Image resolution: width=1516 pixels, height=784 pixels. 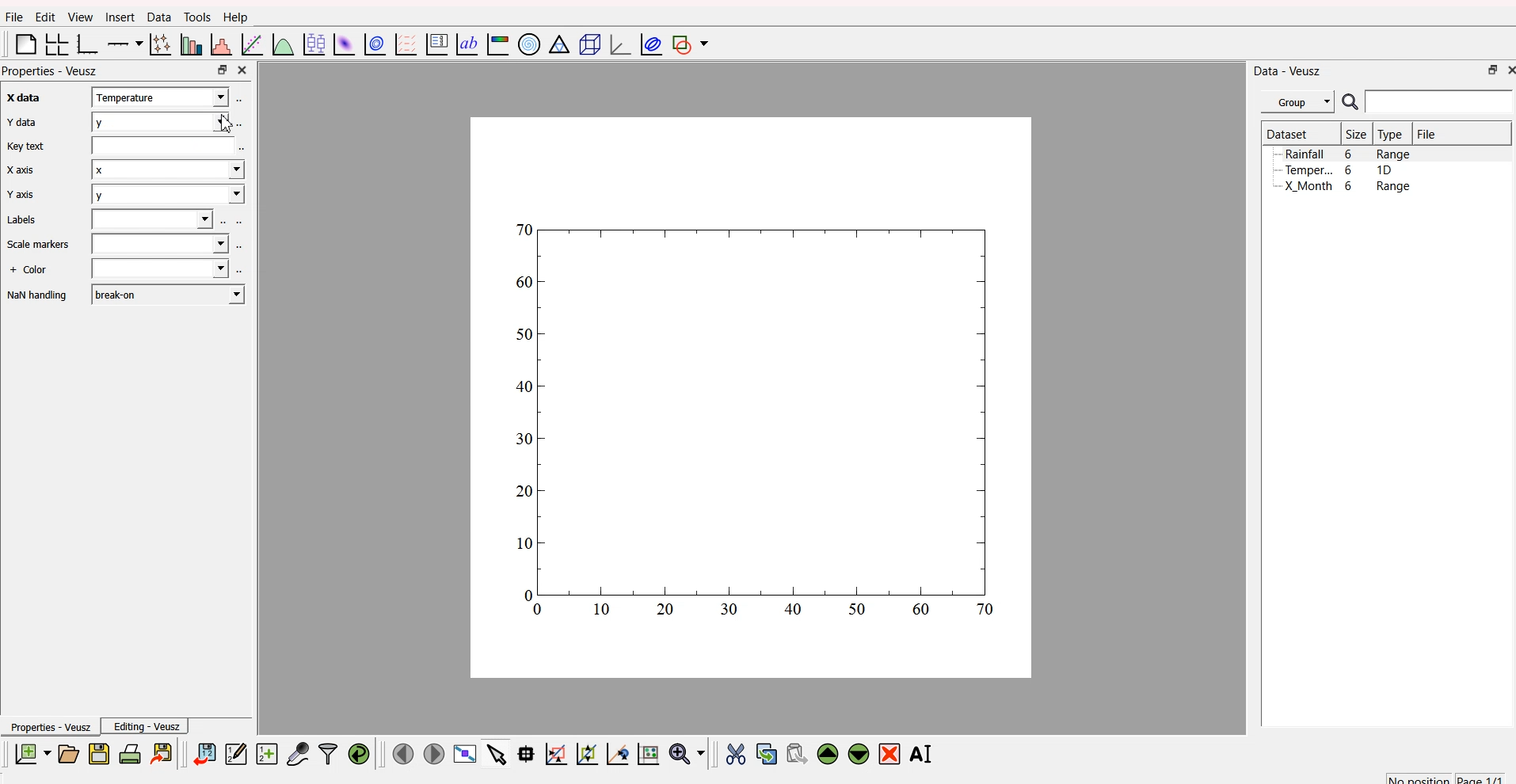 What do you see at coordinates (465, 754) in the screenshot?
I see `view plot full screen` at bounding box center [465, 754].